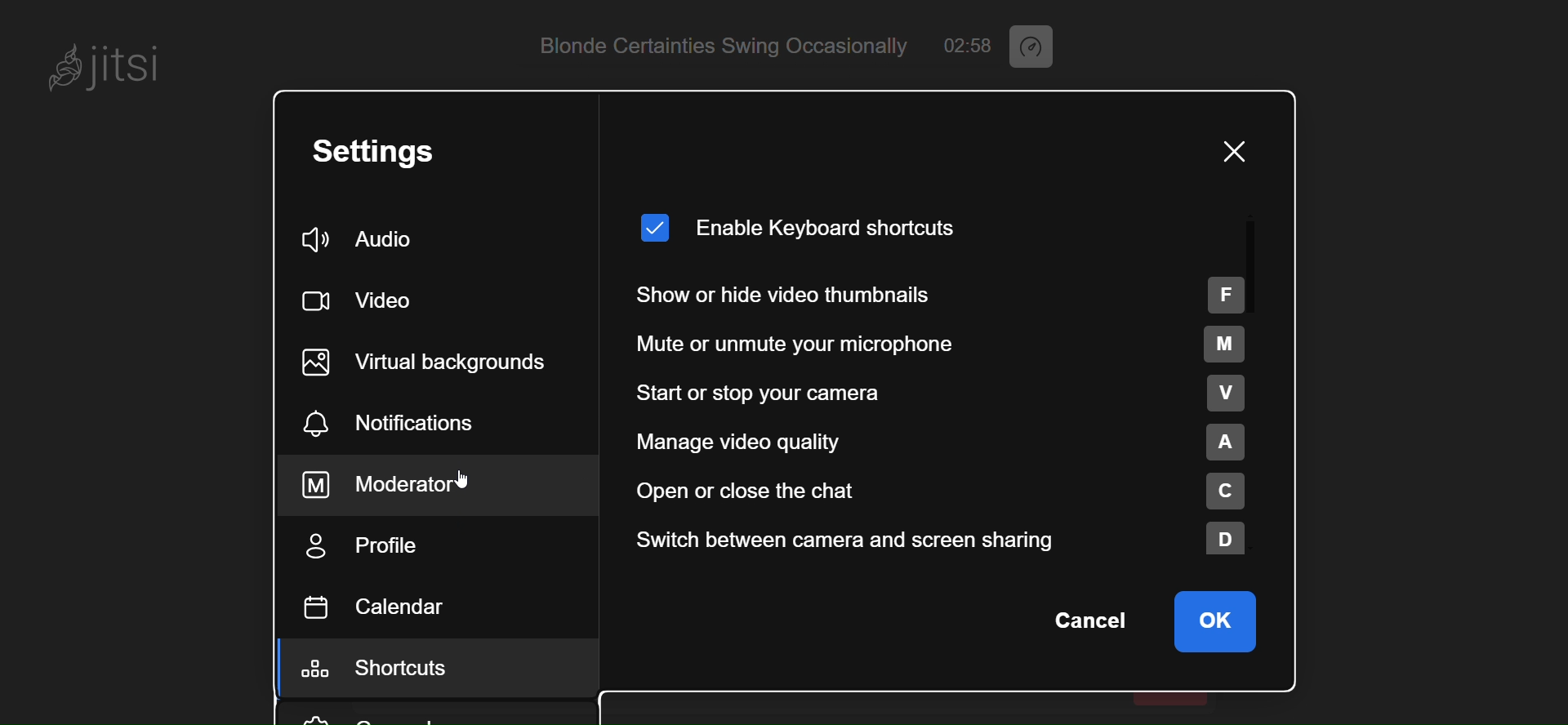 This screenshot has height=725, width=1568. I want to click on jitsi, so click(106, 62).